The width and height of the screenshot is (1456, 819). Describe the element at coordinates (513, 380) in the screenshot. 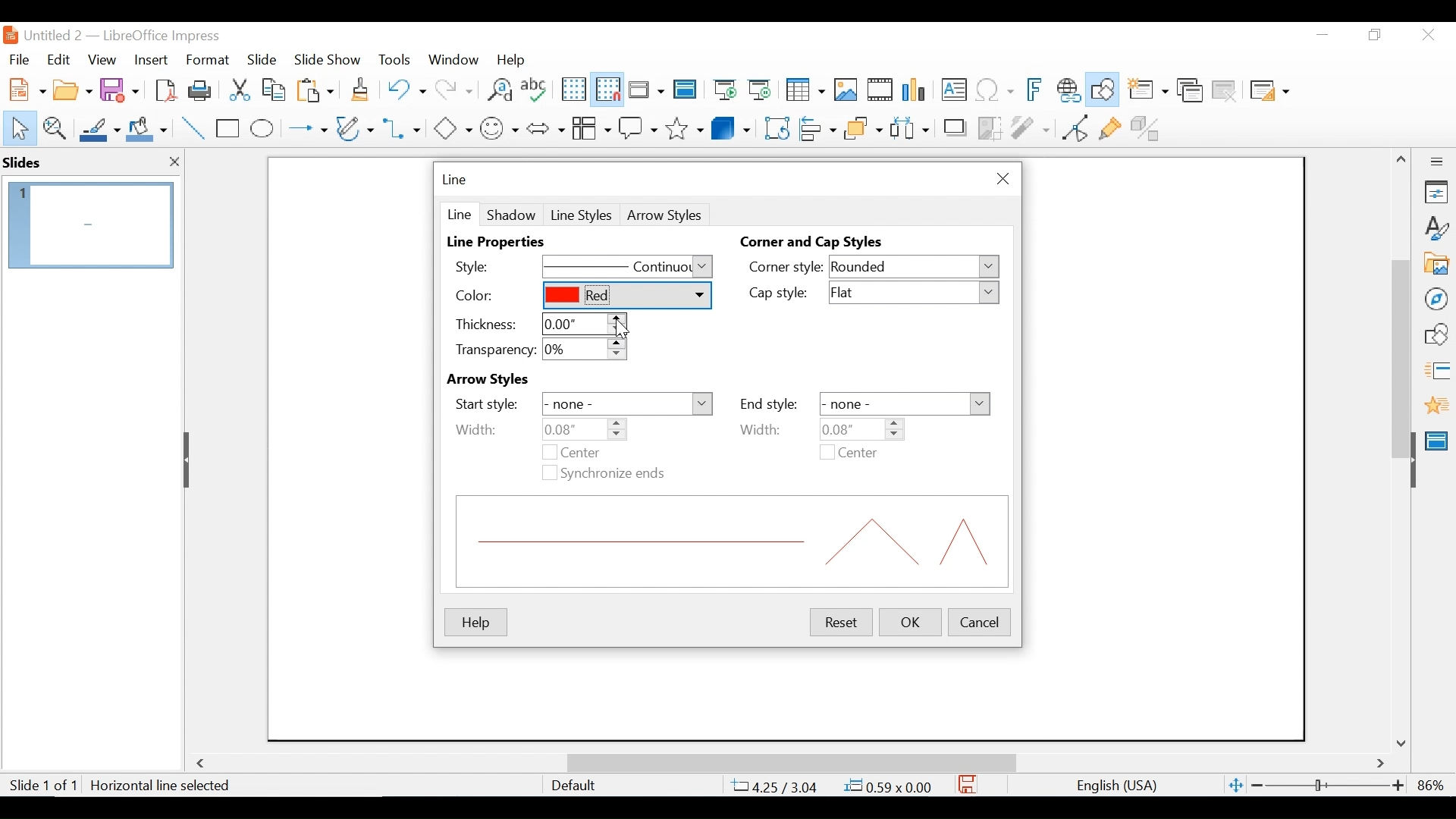

I see `Arrow Styles` at that location.